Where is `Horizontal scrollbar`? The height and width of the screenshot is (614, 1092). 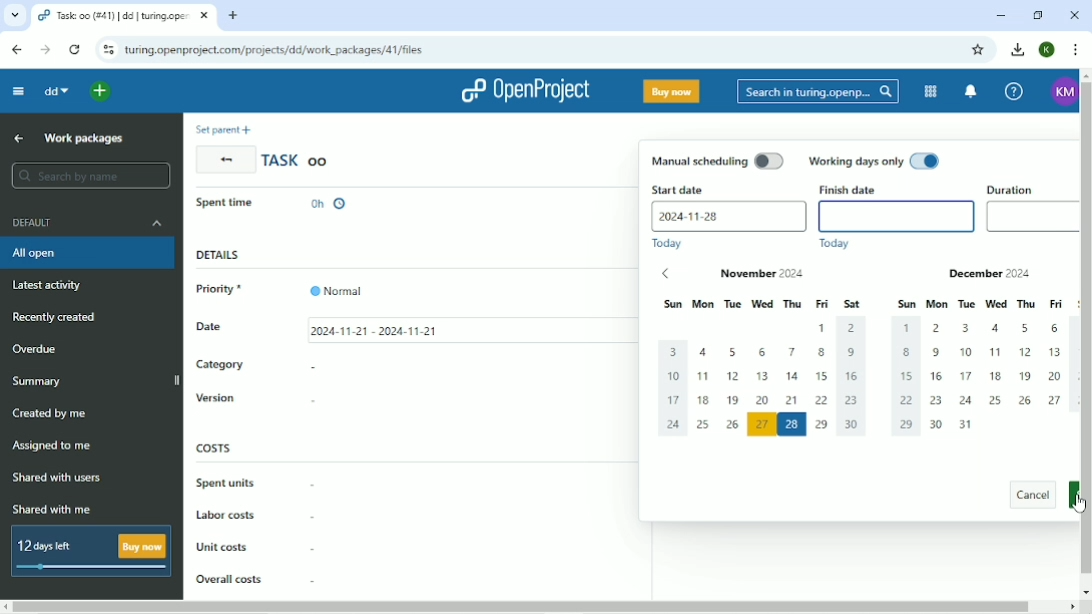
Horizontal scrollbar is located at coordinates (527, 607).